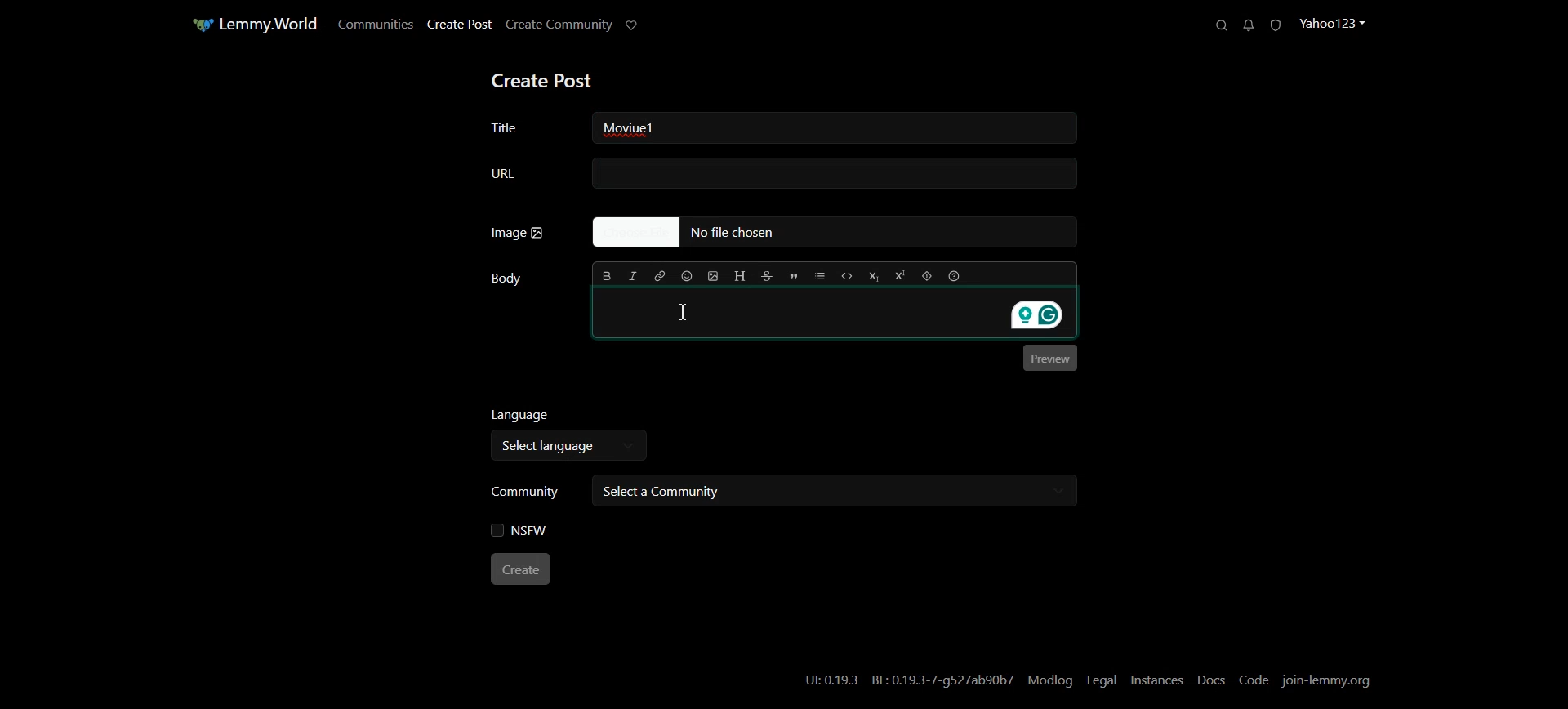 The width and height of the screenshot is (1568, 709). Describe the element at coordinates (1329, 680) in the screenshot. I see `Join-lemmy.org` at that location.